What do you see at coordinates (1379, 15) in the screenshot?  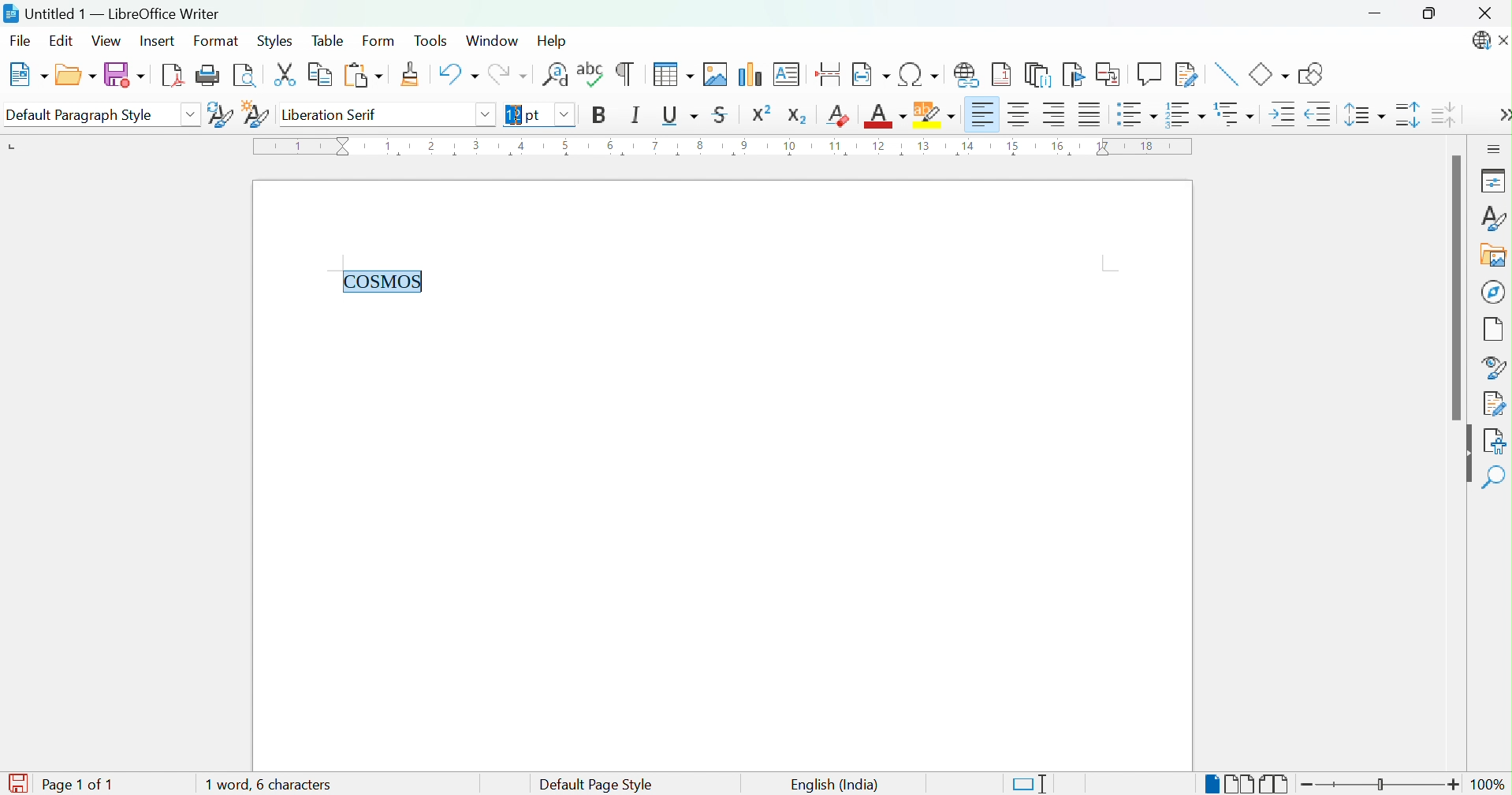 I see `Minimize` at bounding box center [1379, 15].